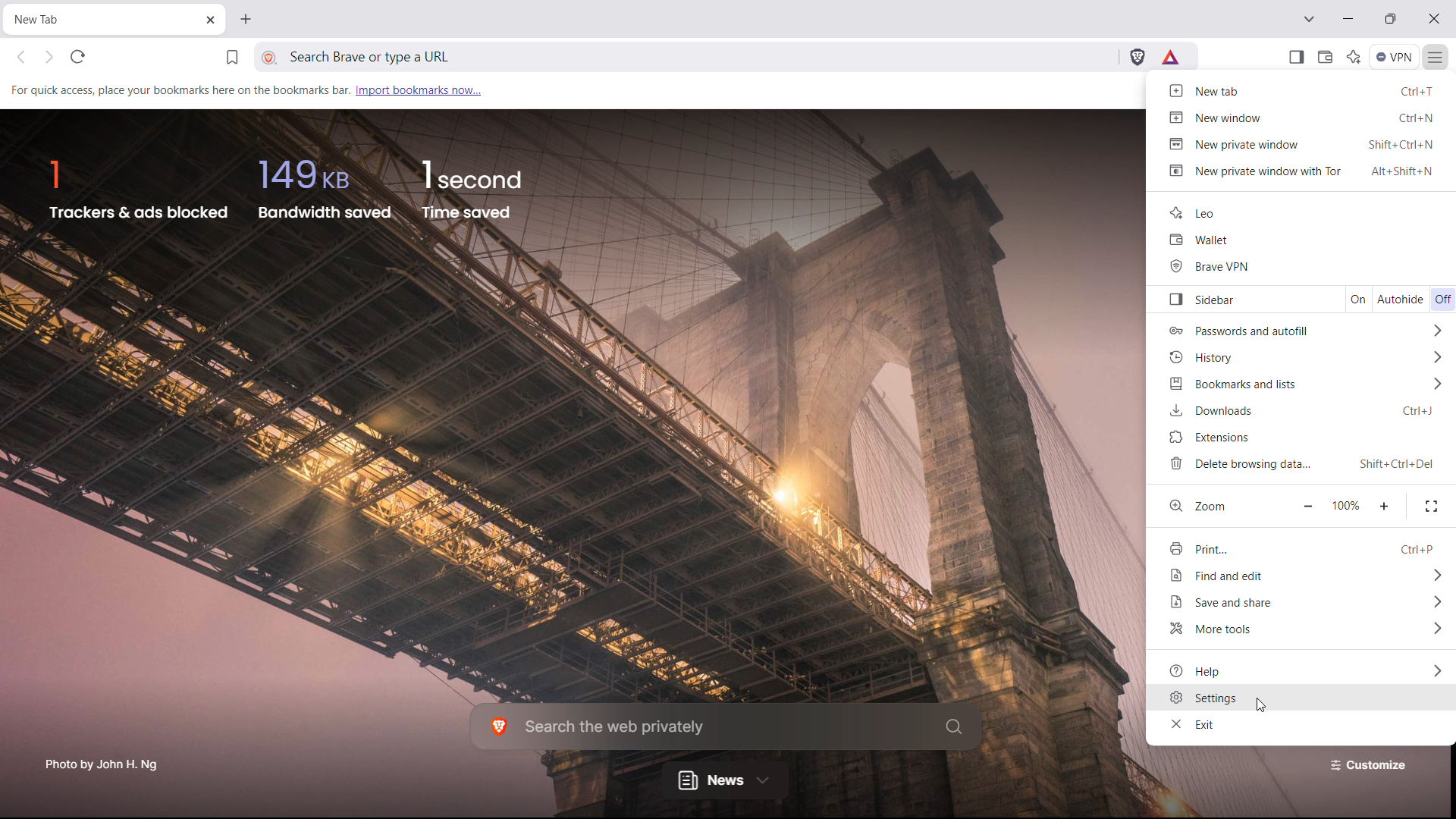 Image resolution: width=1456 pixels, height=819 pixels. What do you see at coordinates (1310, 504) in the screenshot?
I see `-` at bounding box center [1310, 504].